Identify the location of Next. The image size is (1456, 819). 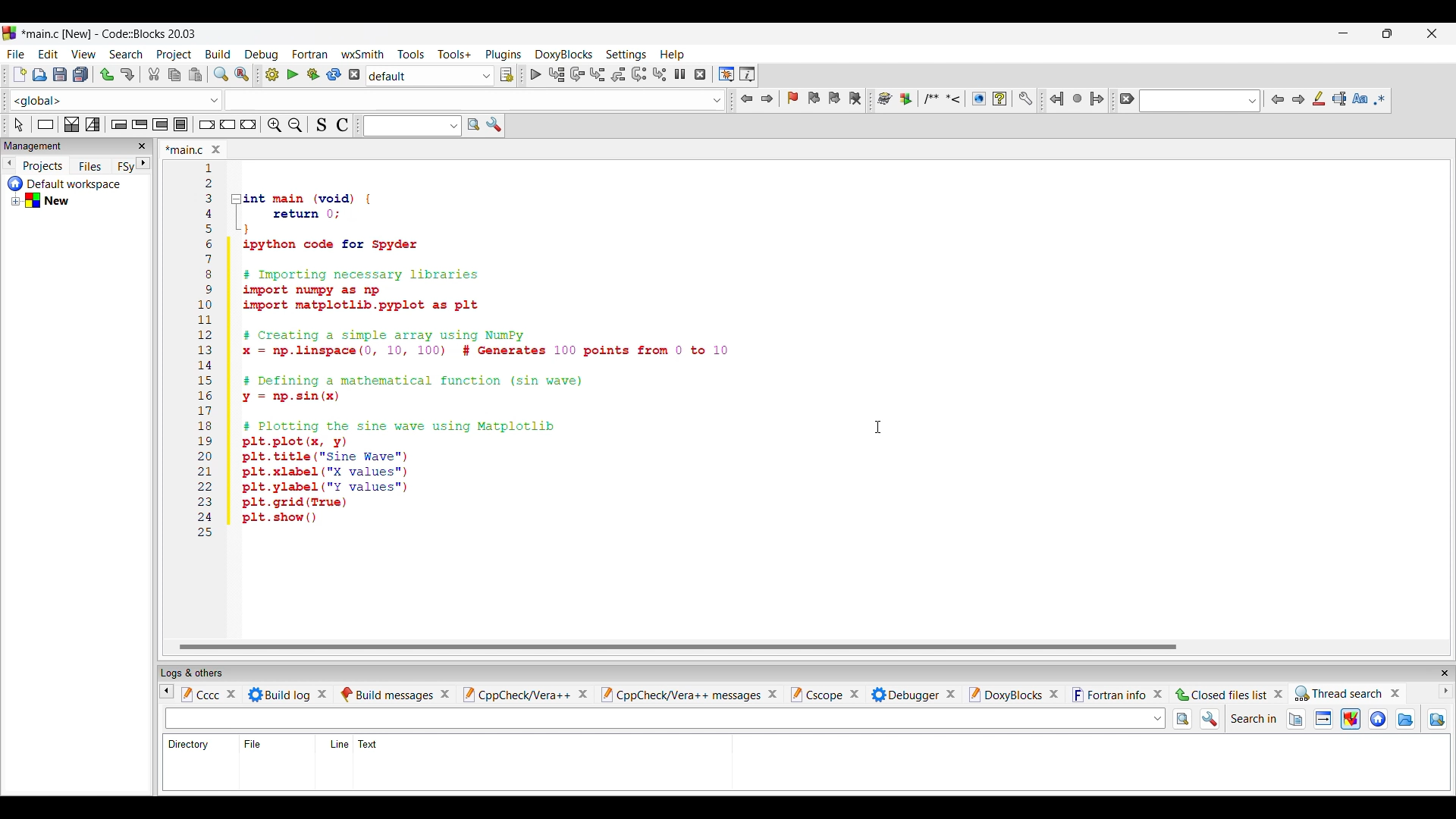
(1299, 99).